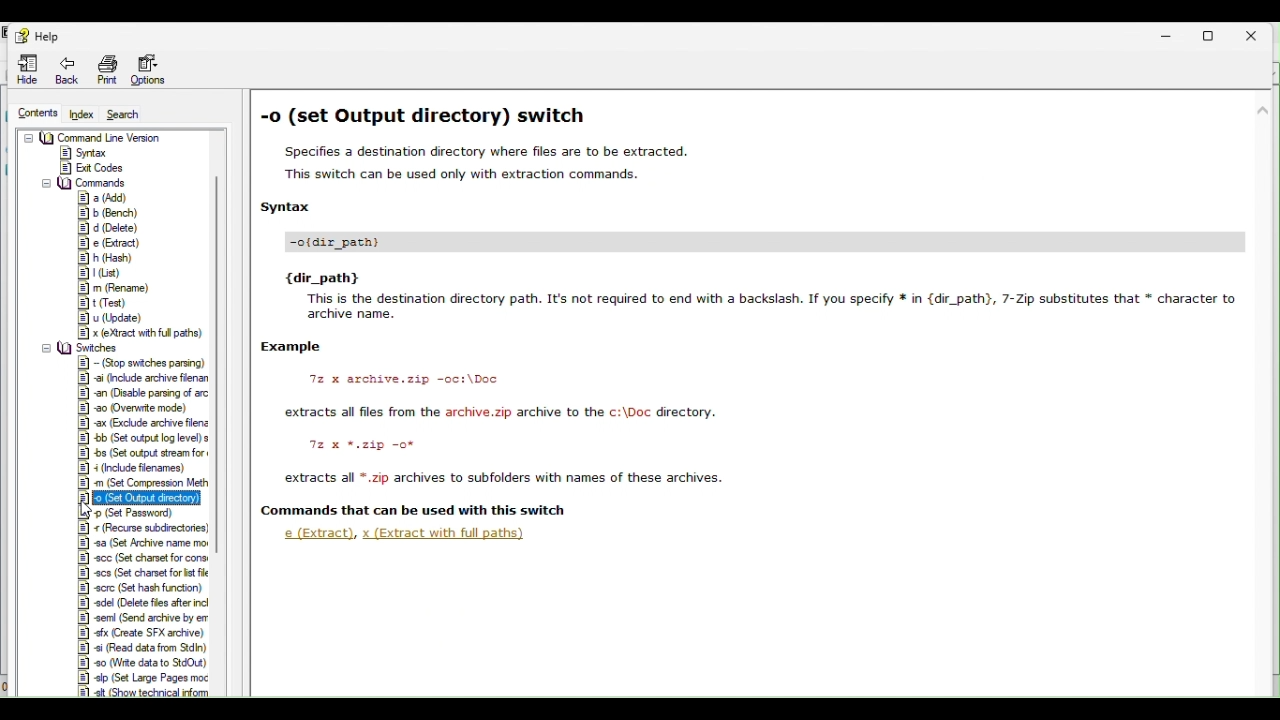 The image size is (1280, 720). Describe the element at coordinates (1217, 32) in the screenshot. I see `Restore` at that location.